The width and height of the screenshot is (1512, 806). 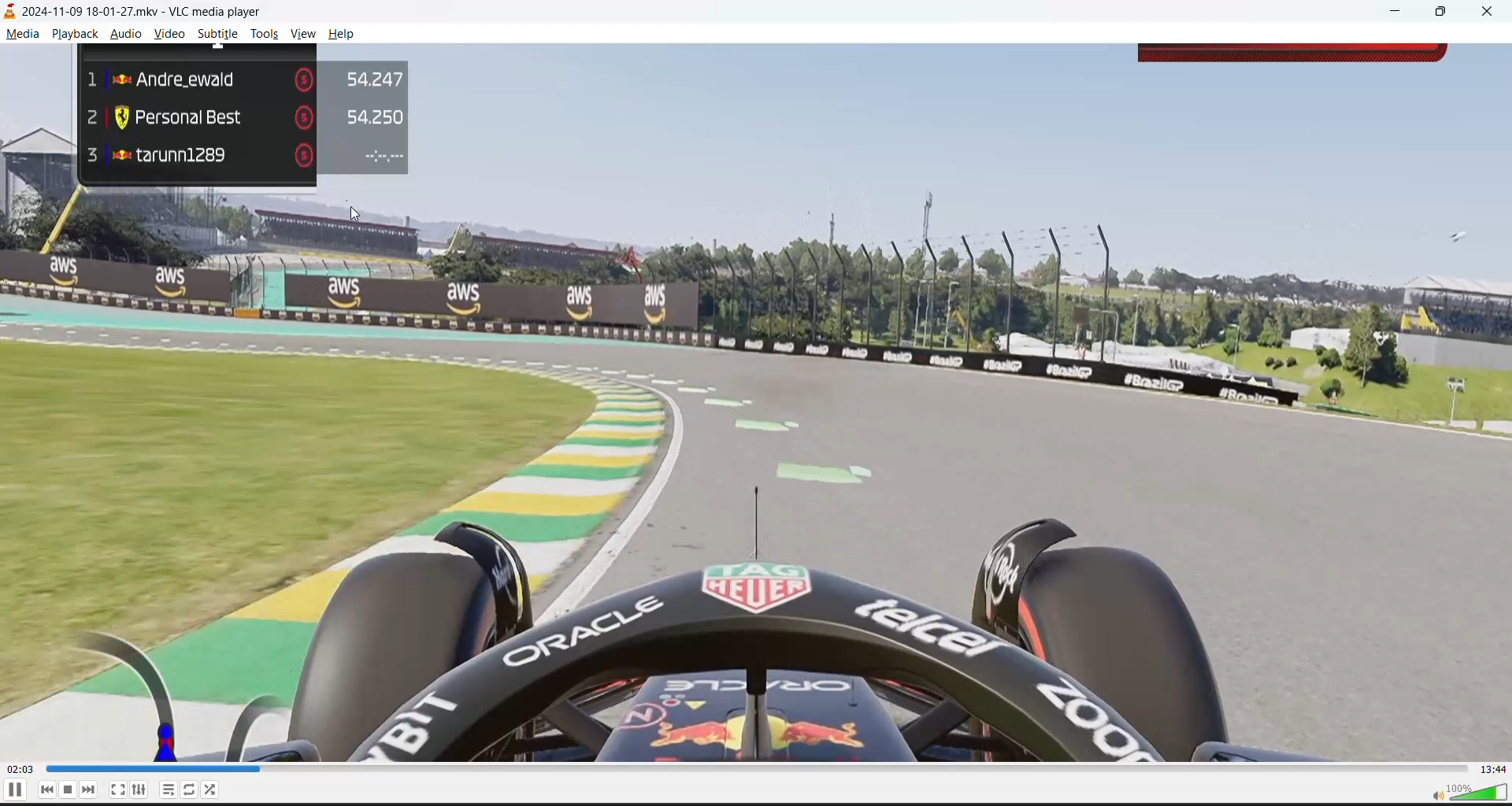 What do you see at coordinates (70, 789) in the screenshot?
I see `stop` at bounding box center [70, 789].